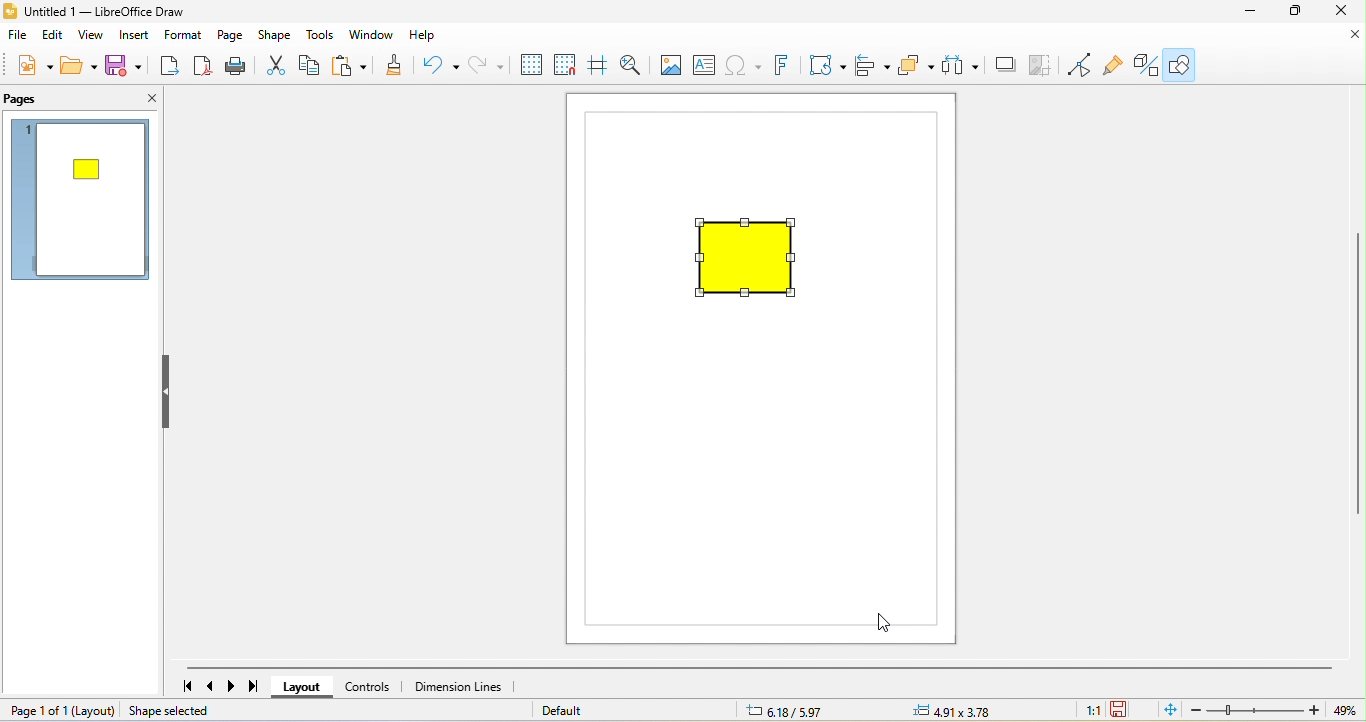 This screenshot has width=1366, height=722. Describe the element at coordinates (89, 169) in the screenshot. I see `shape fill color change` at that location.